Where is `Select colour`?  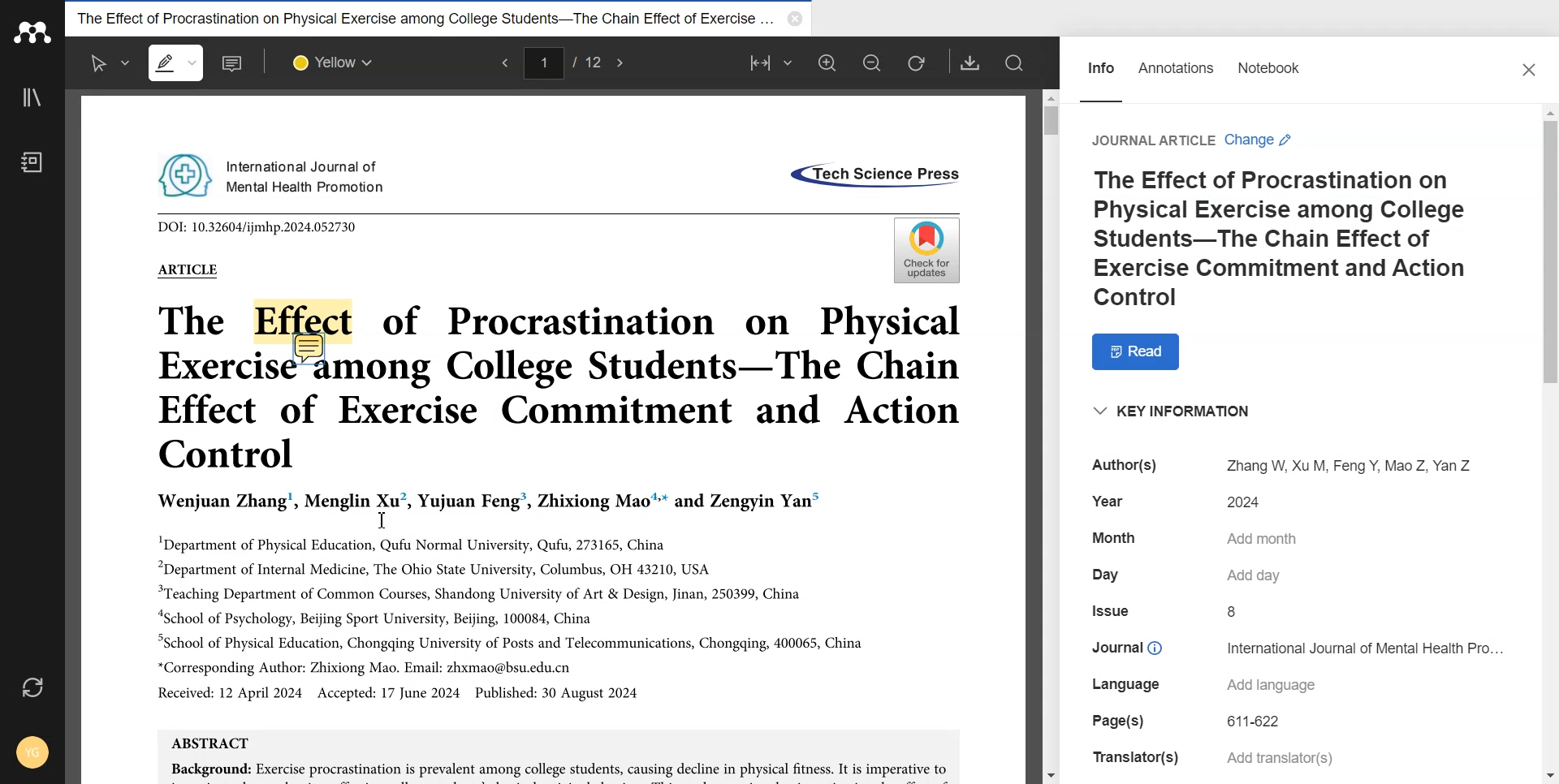 Select colour is located at coordinates (336, 64).